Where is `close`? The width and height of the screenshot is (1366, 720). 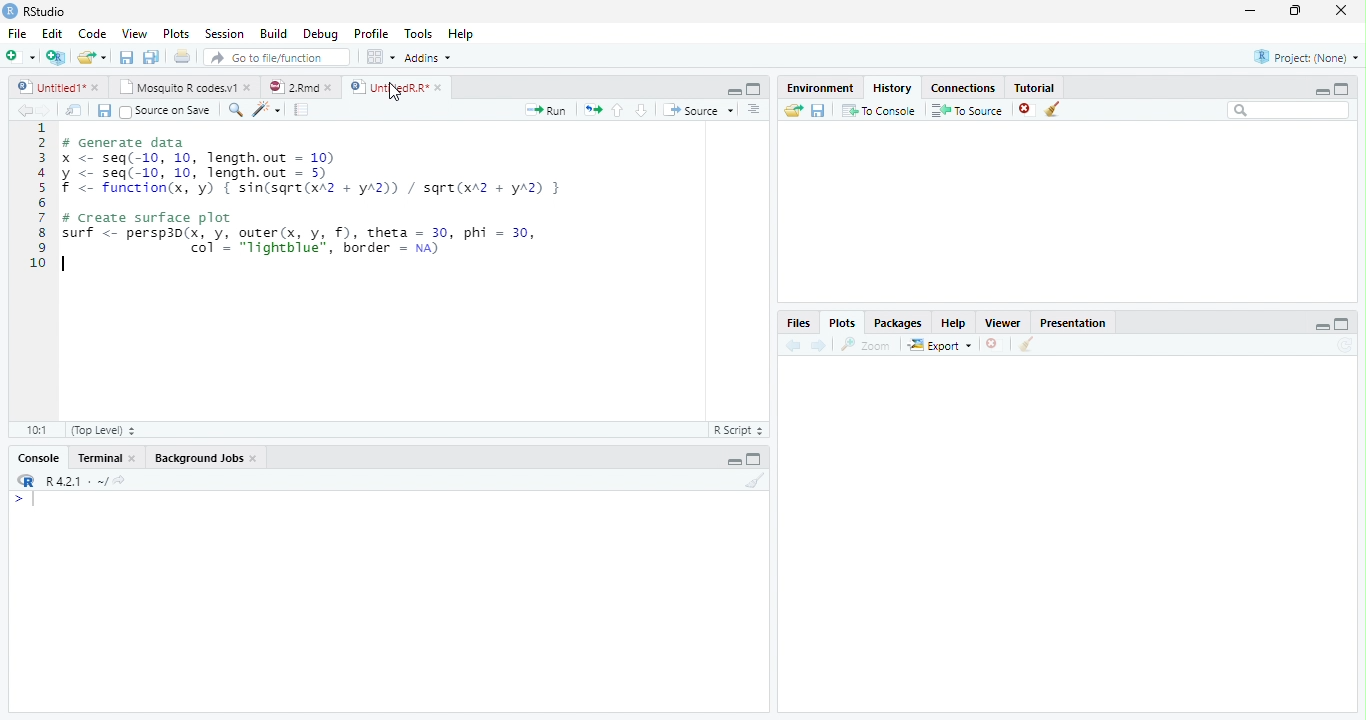
close is located at coordinates (1341, 10).